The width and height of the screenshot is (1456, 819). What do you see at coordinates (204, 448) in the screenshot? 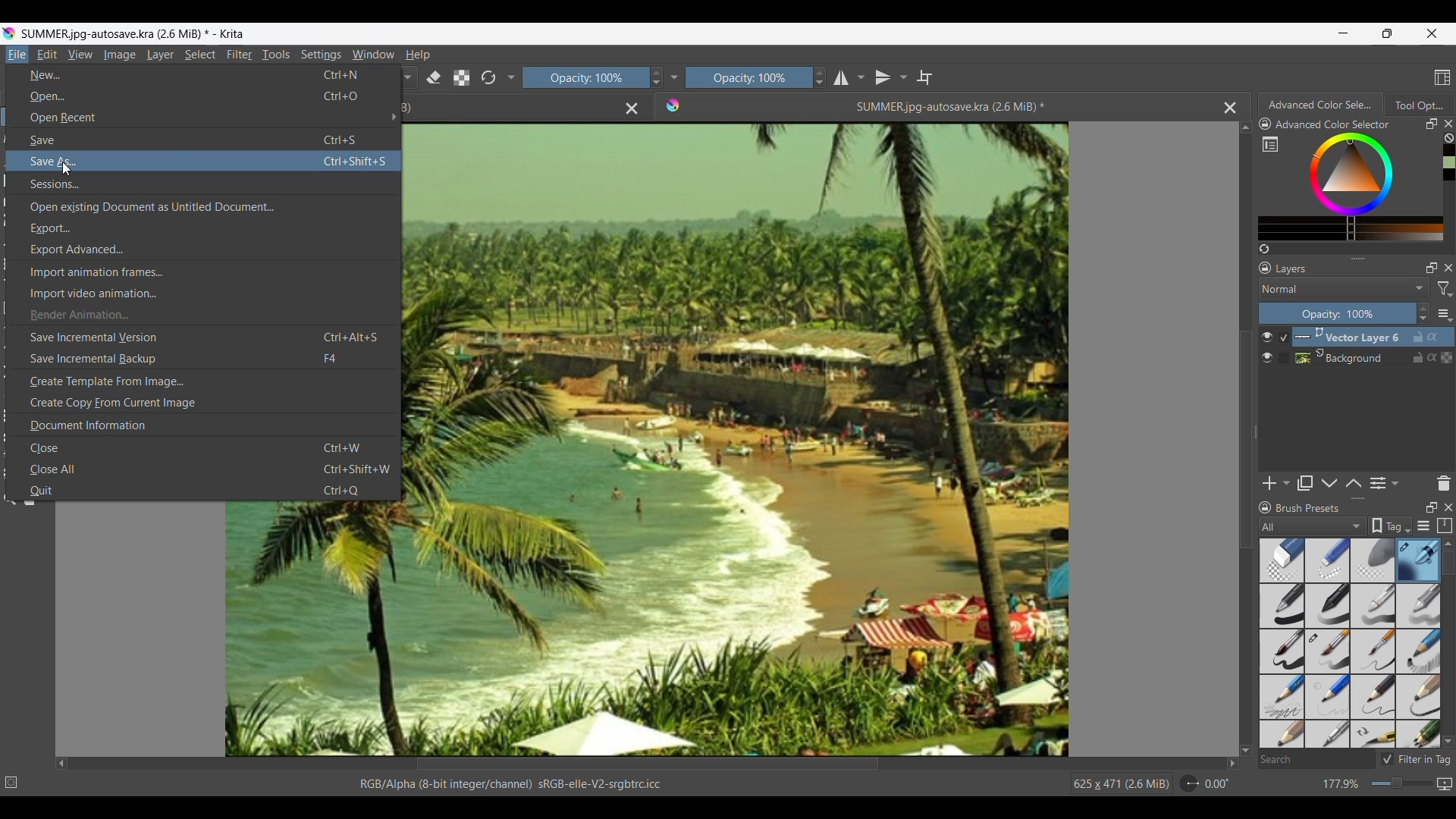
I see `Close` at bounding box center [204, 448].